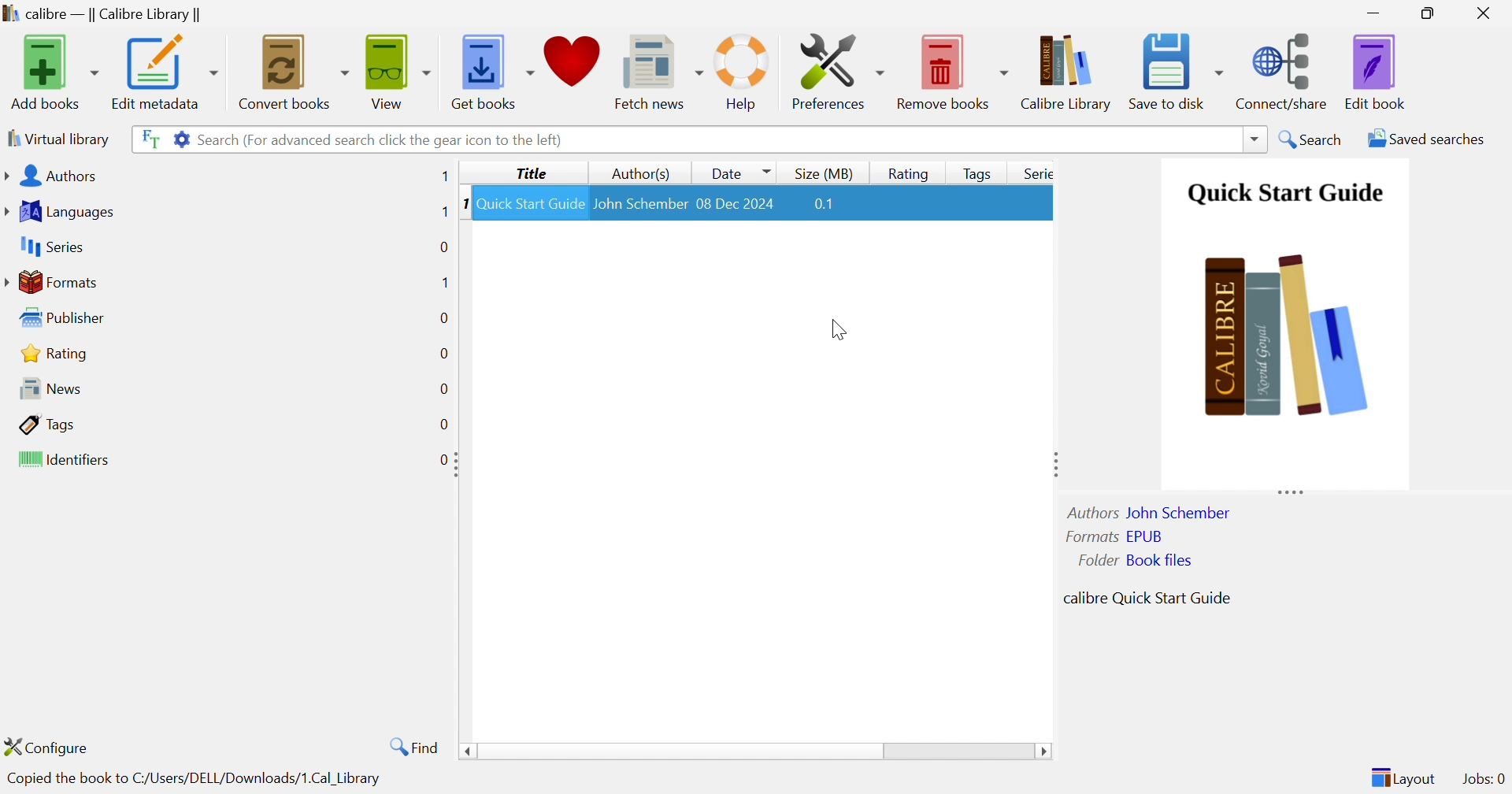 The width and height of the screenshot is (1512, 794). What do you see at coordinates (640, 201) in the screenshot?
I see `John Schember` at bounding box center [640, 201].